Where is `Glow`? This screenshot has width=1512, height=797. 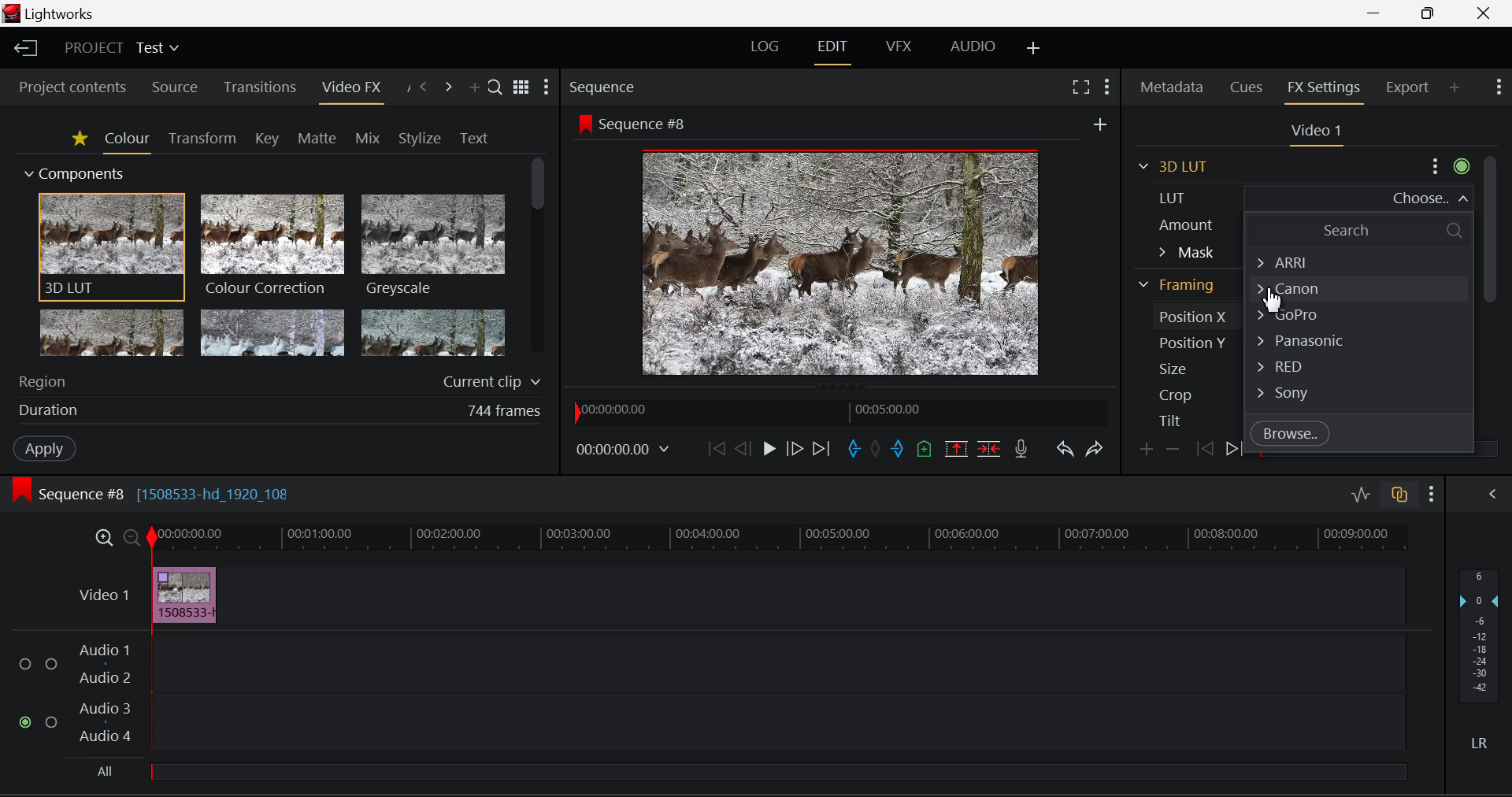
Glow is located at coordinates (112, 335).